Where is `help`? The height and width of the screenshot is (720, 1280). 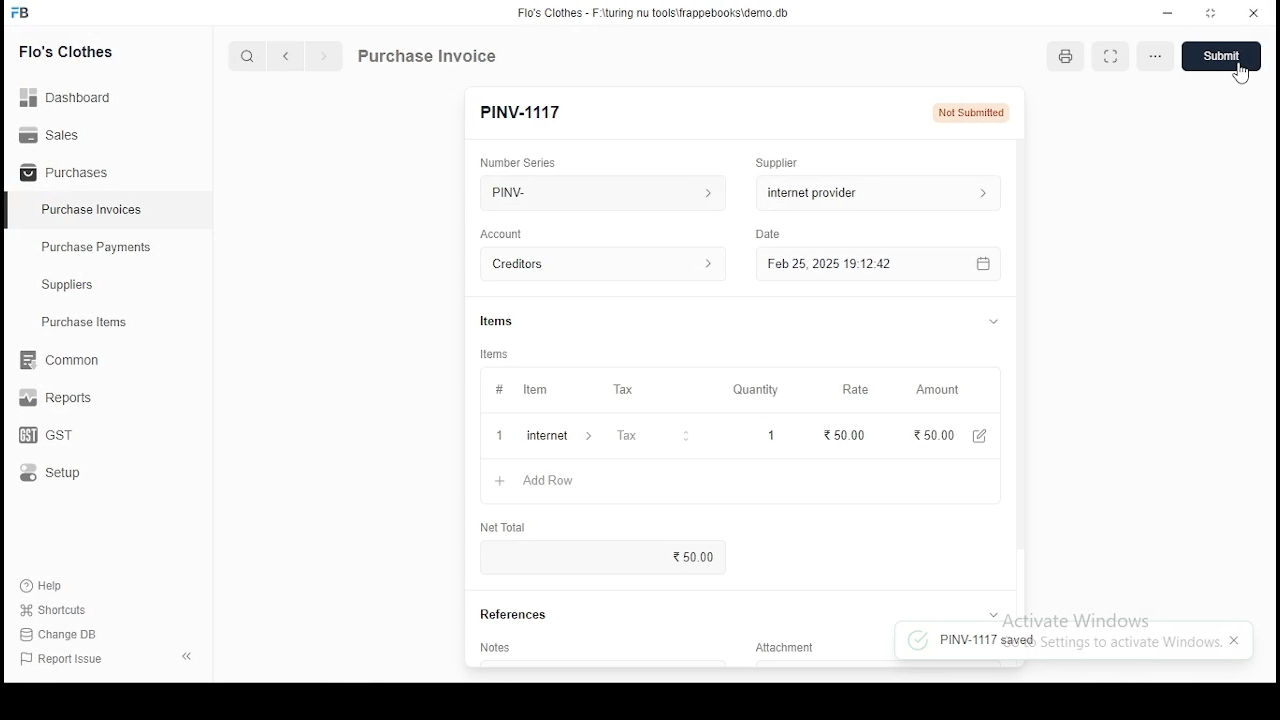 help is located at coordinates (46, 583).